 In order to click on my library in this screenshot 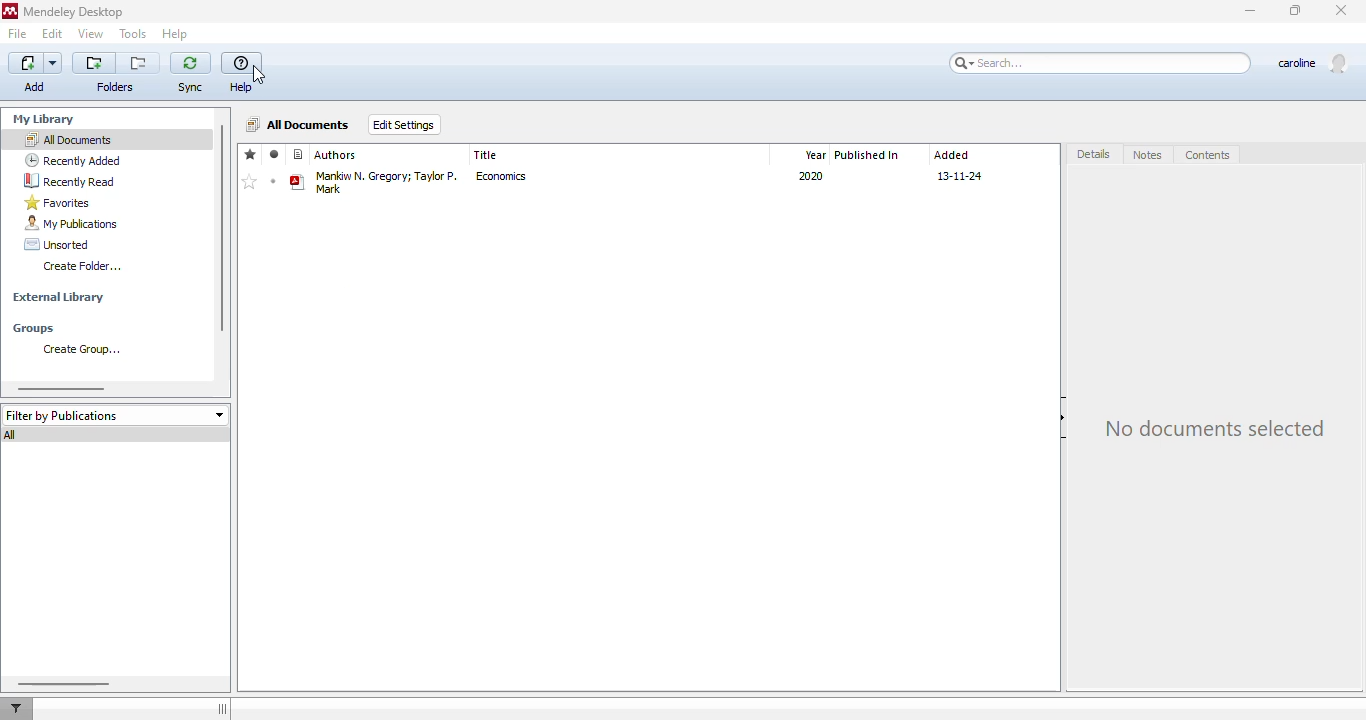, I will do `click(44, 119)`.